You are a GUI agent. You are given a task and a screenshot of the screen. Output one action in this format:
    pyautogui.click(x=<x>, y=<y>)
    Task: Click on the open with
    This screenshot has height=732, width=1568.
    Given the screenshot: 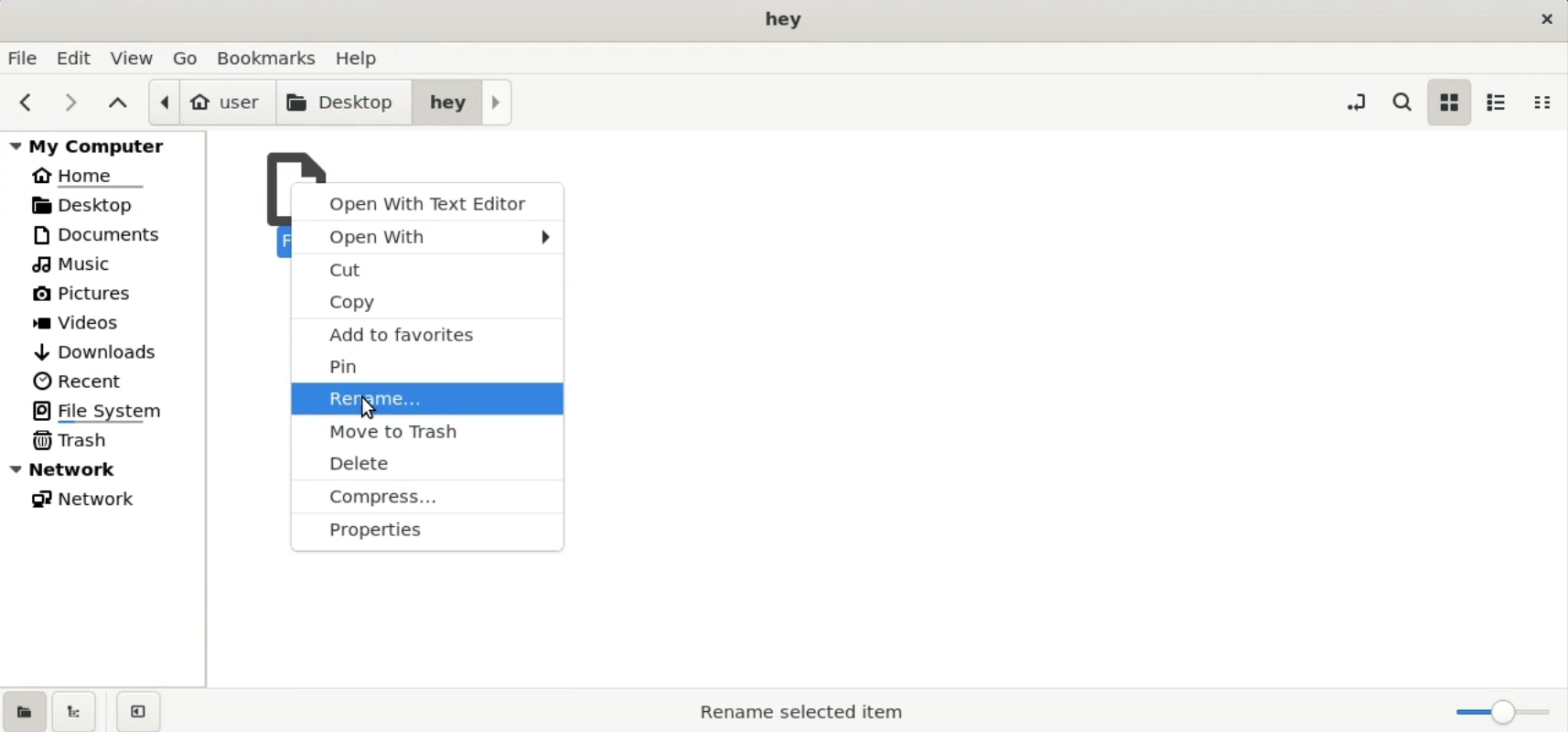 What is the action you would take?
    pyautogui.click(x=429, y=235)
    